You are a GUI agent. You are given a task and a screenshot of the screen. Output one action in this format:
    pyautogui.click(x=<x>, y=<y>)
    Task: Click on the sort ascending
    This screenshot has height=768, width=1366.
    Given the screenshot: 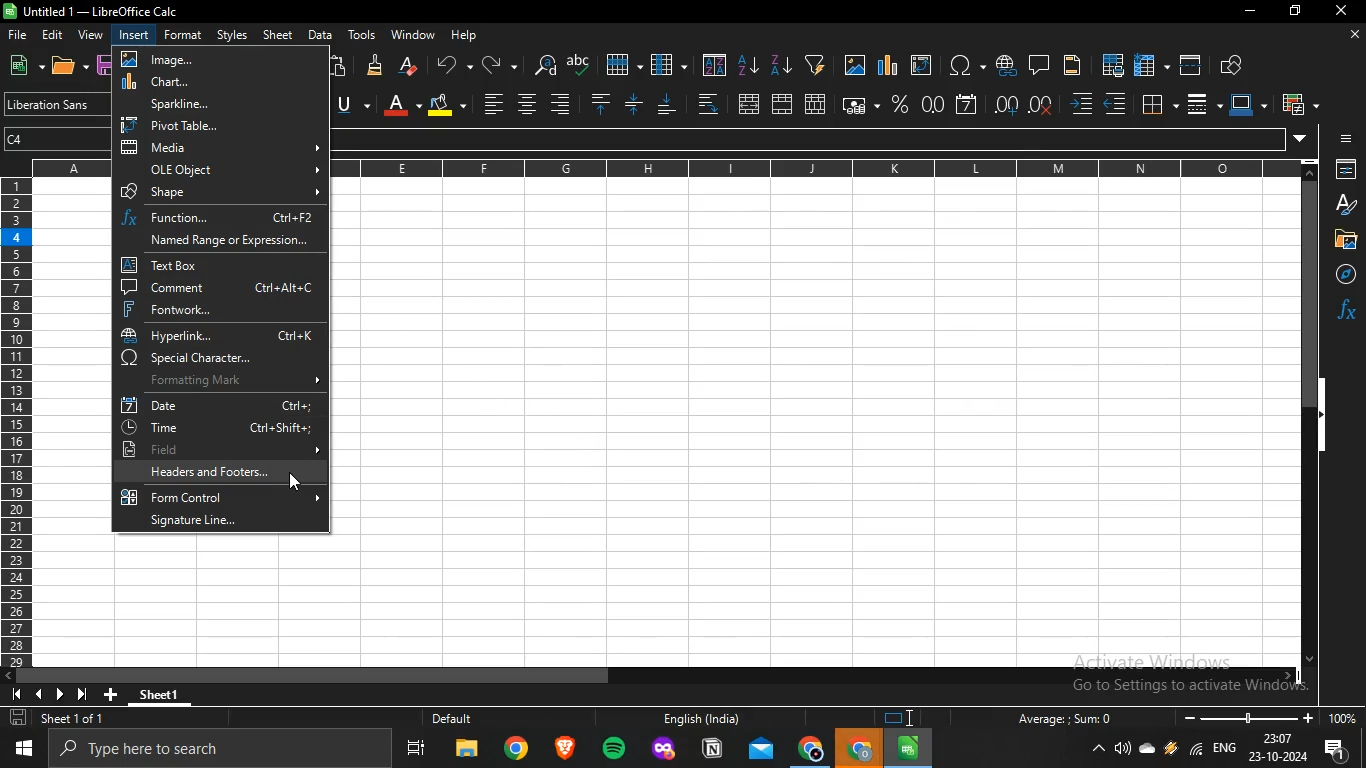 What is the action you would take?
    pyautogui.click(x=749, y=64)
    